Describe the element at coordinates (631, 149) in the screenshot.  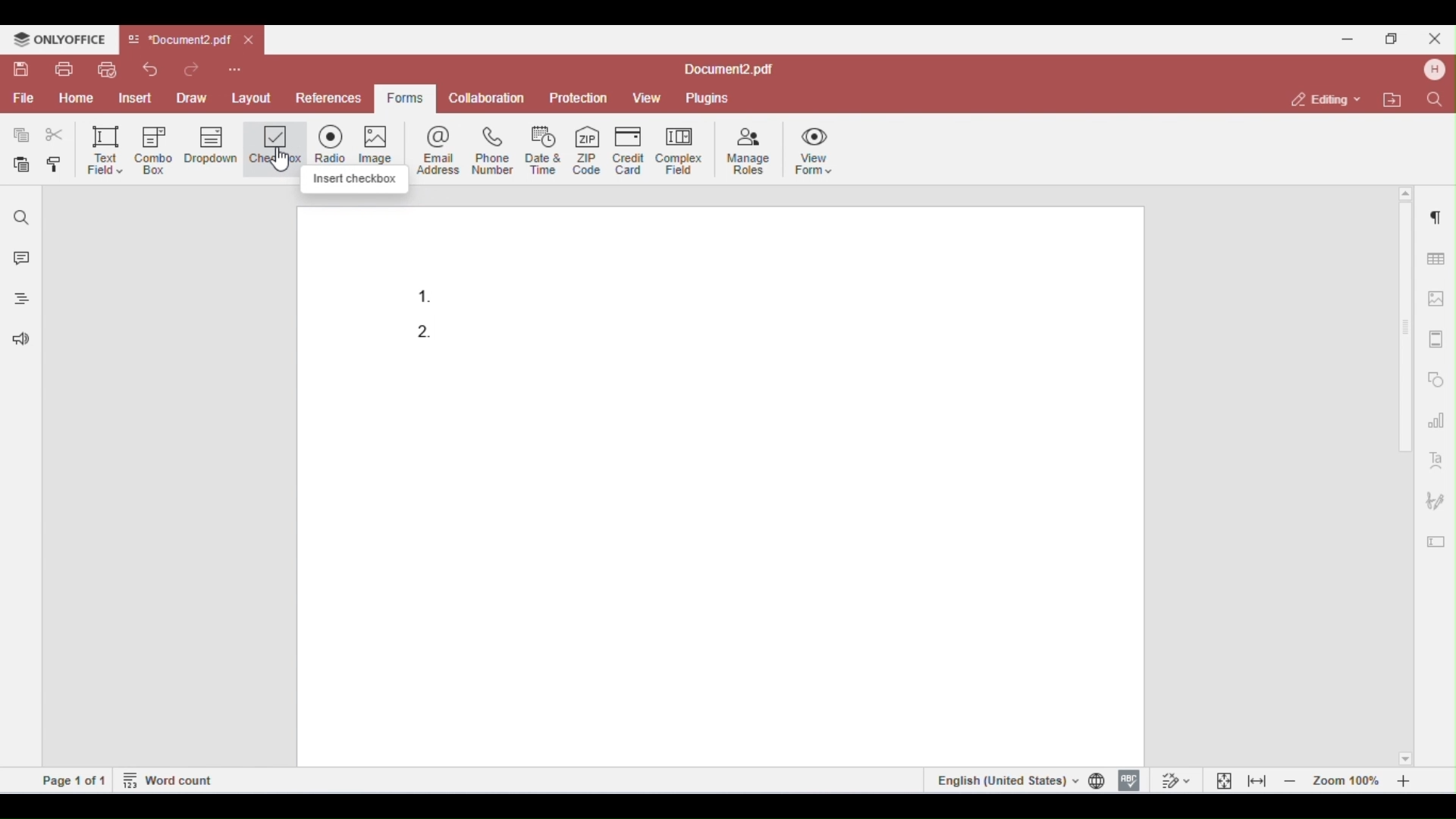
I see `credit card` at that location.